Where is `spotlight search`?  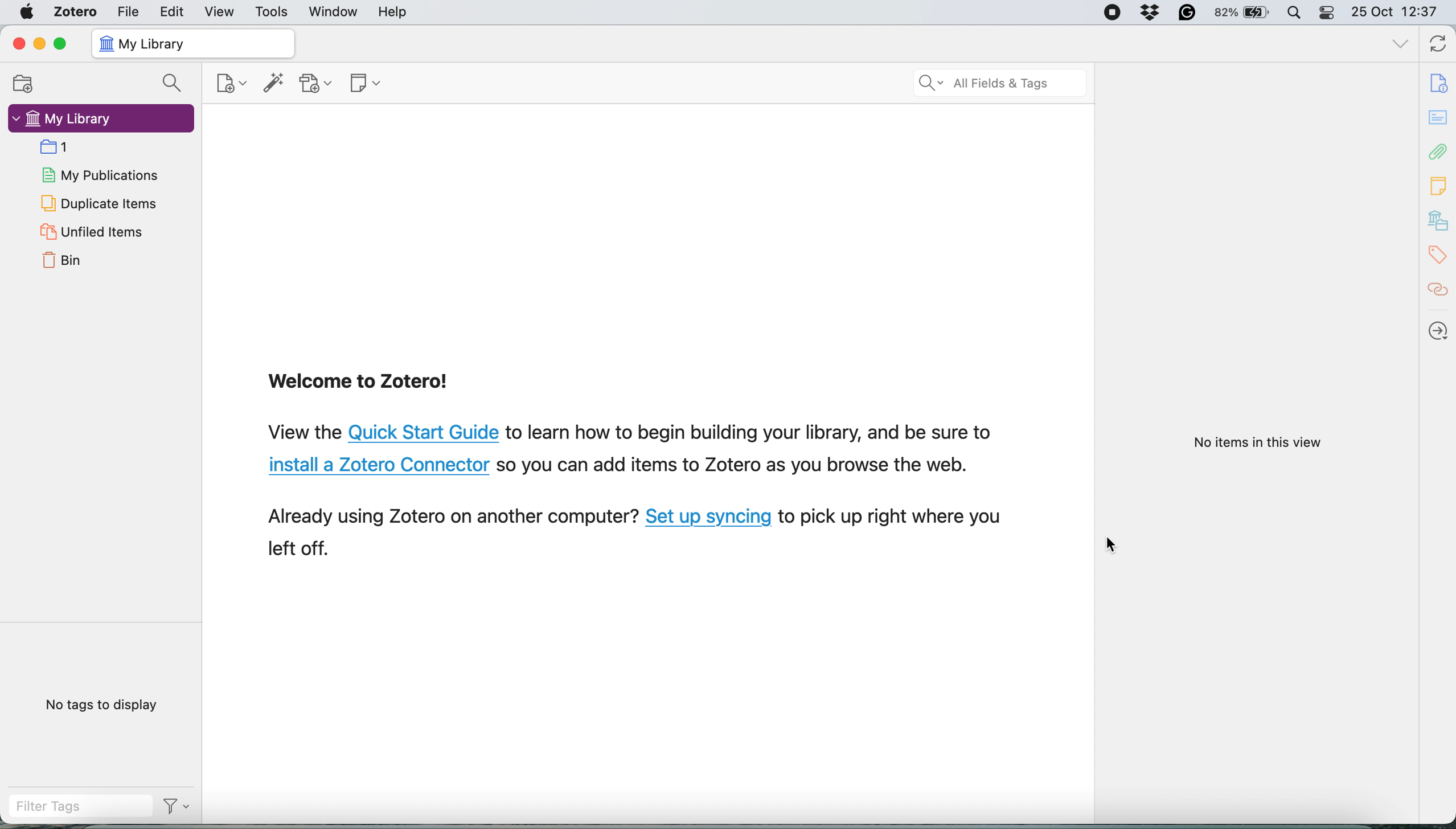
spotlight search is located at coordinates (1295, 13).